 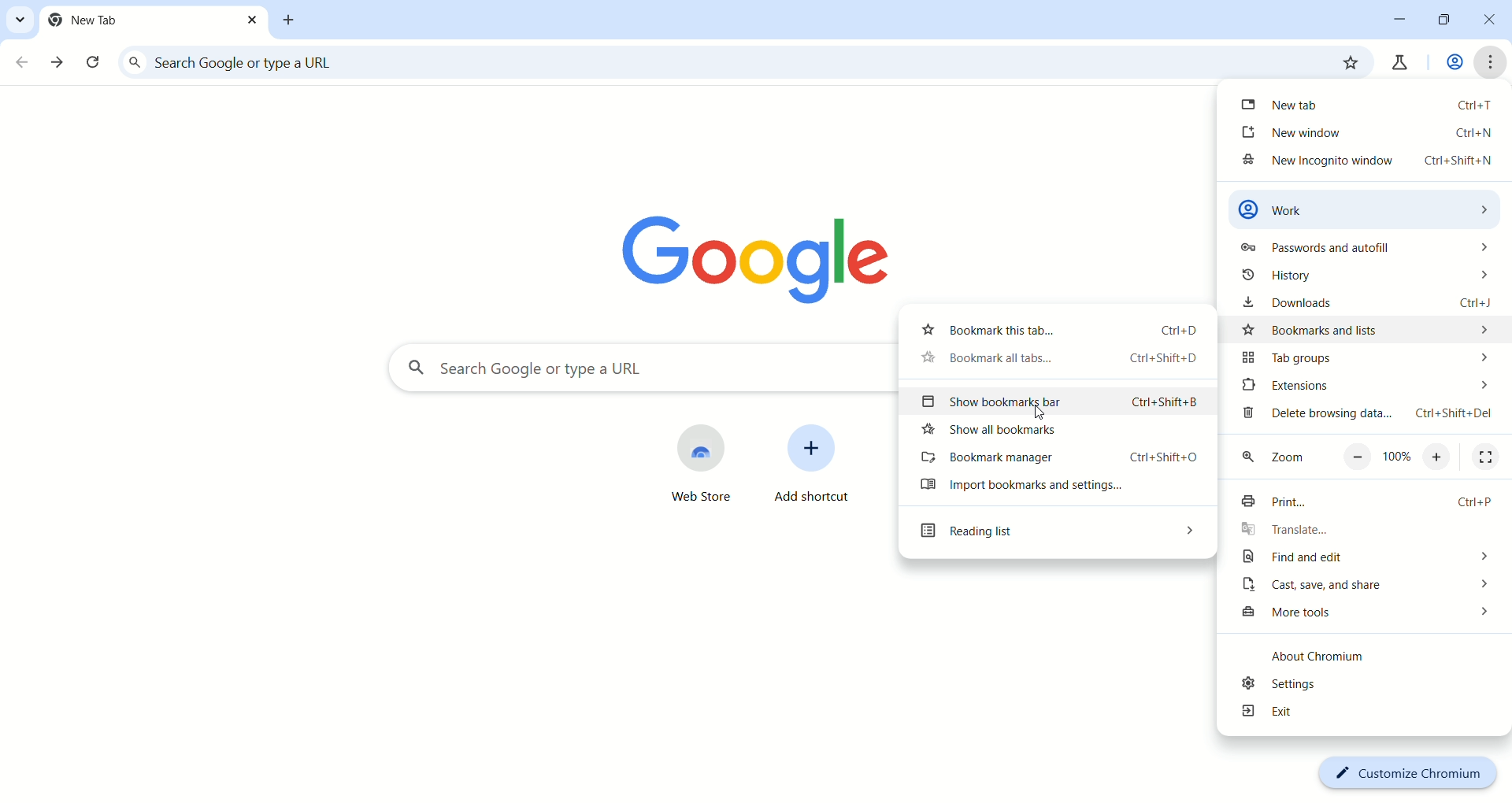 I want to click on chrome lab, so click(x=1398, y=66).